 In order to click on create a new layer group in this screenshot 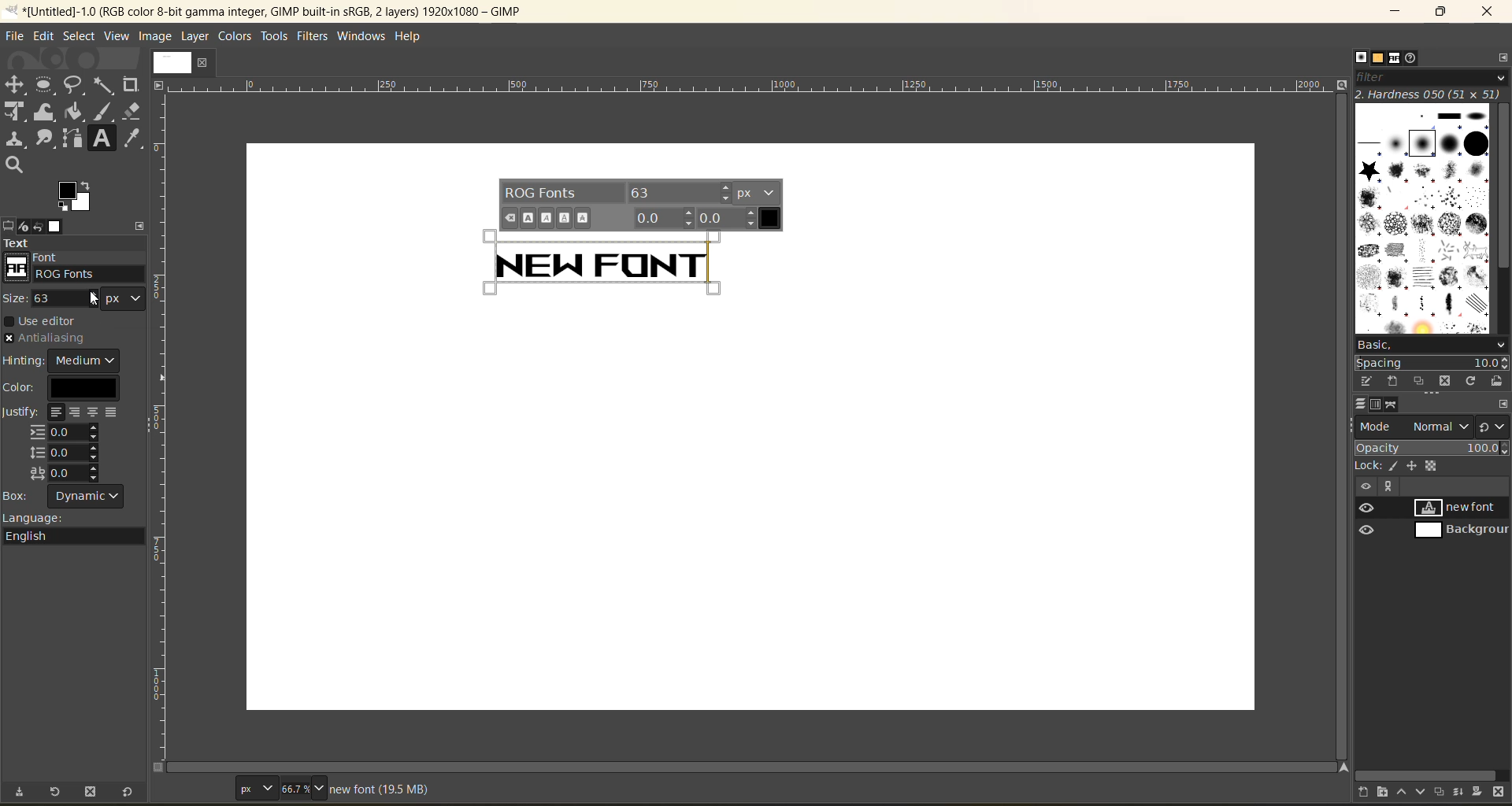, I will do `click(1384, 793)`.